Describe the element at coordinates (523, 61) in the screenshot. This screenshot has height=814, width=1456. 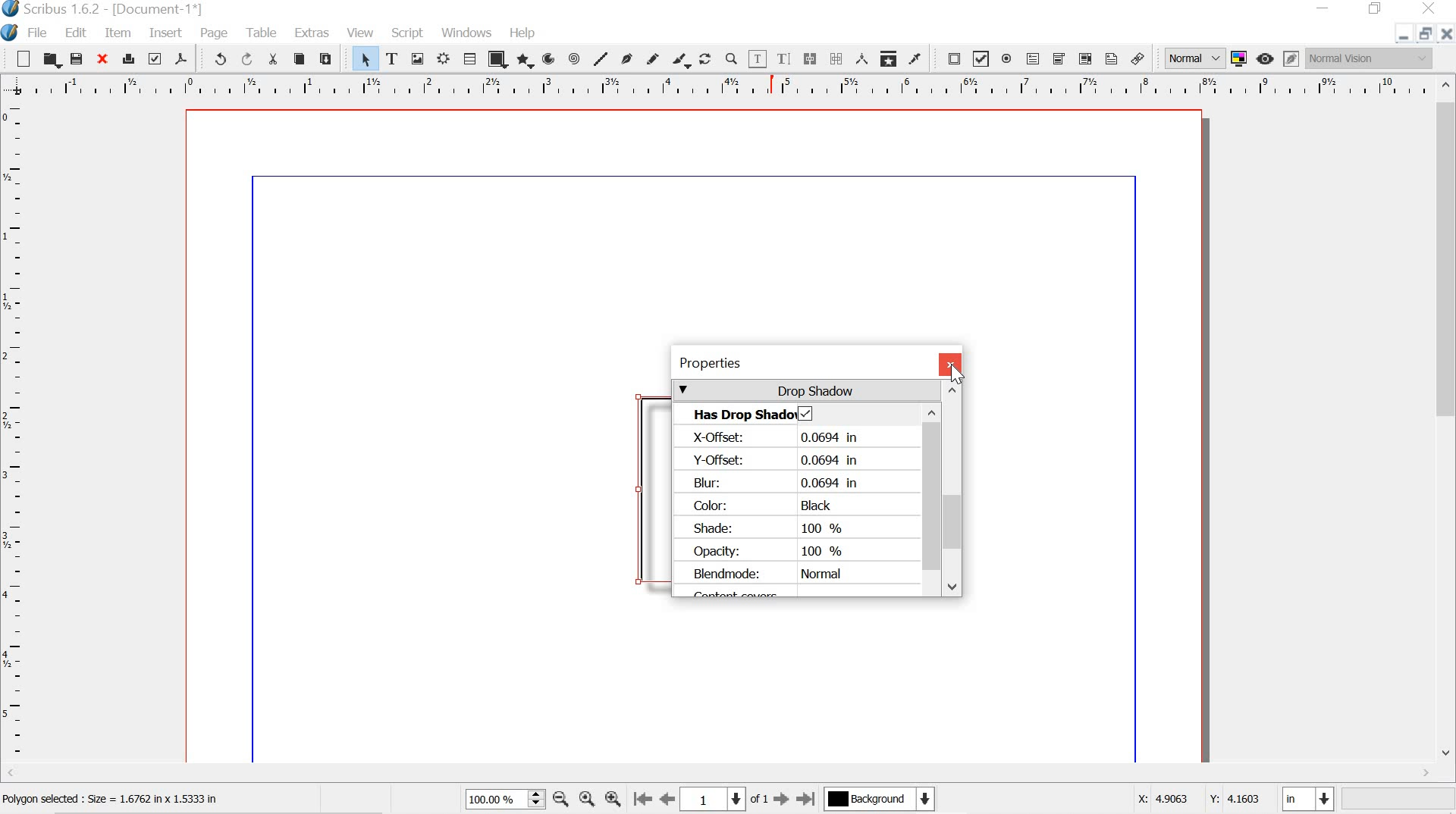
I see `polygon` at that location.